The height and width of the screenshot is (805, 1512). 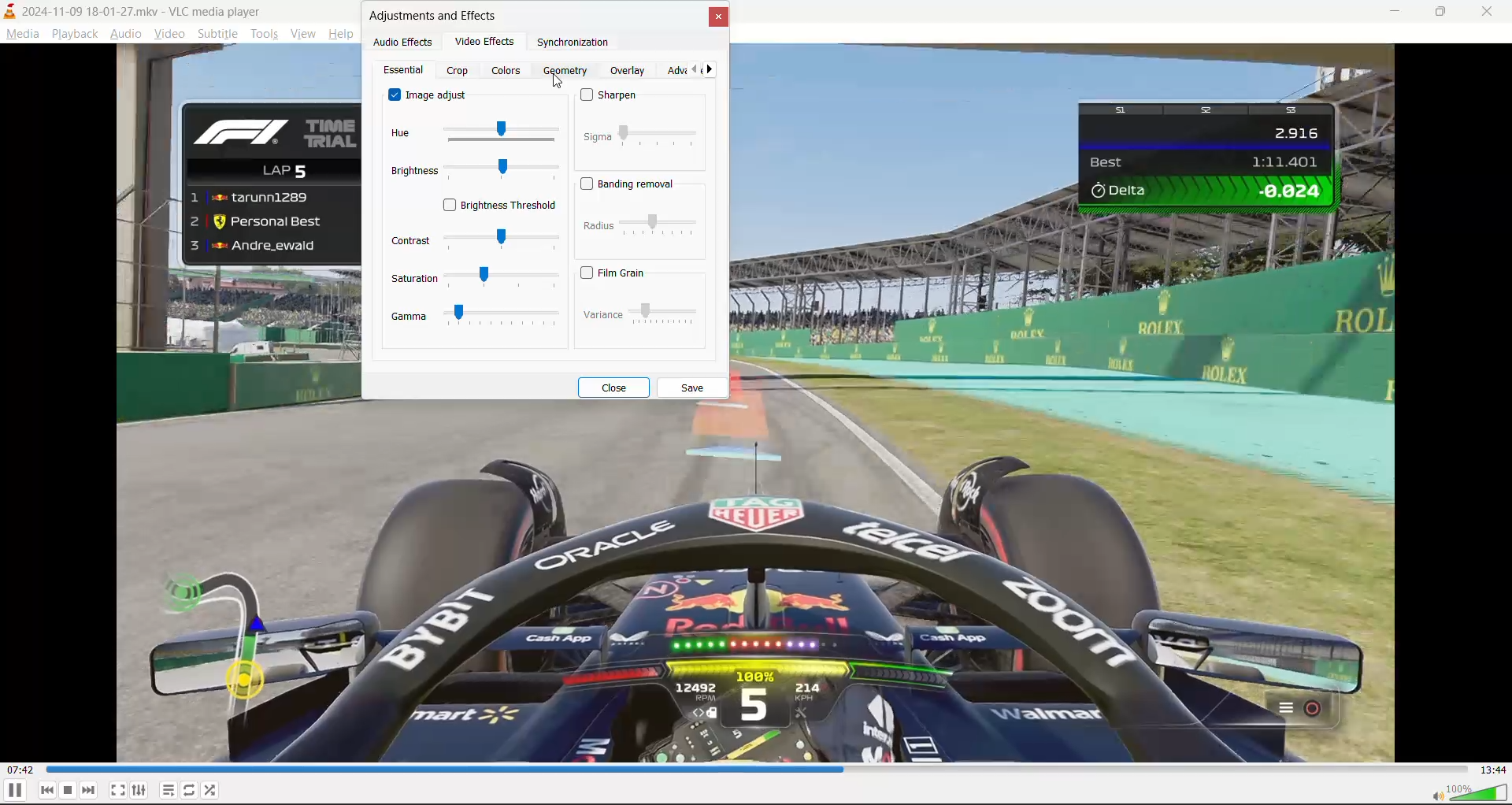 I want to click on previous, so click(x=699, y=69).